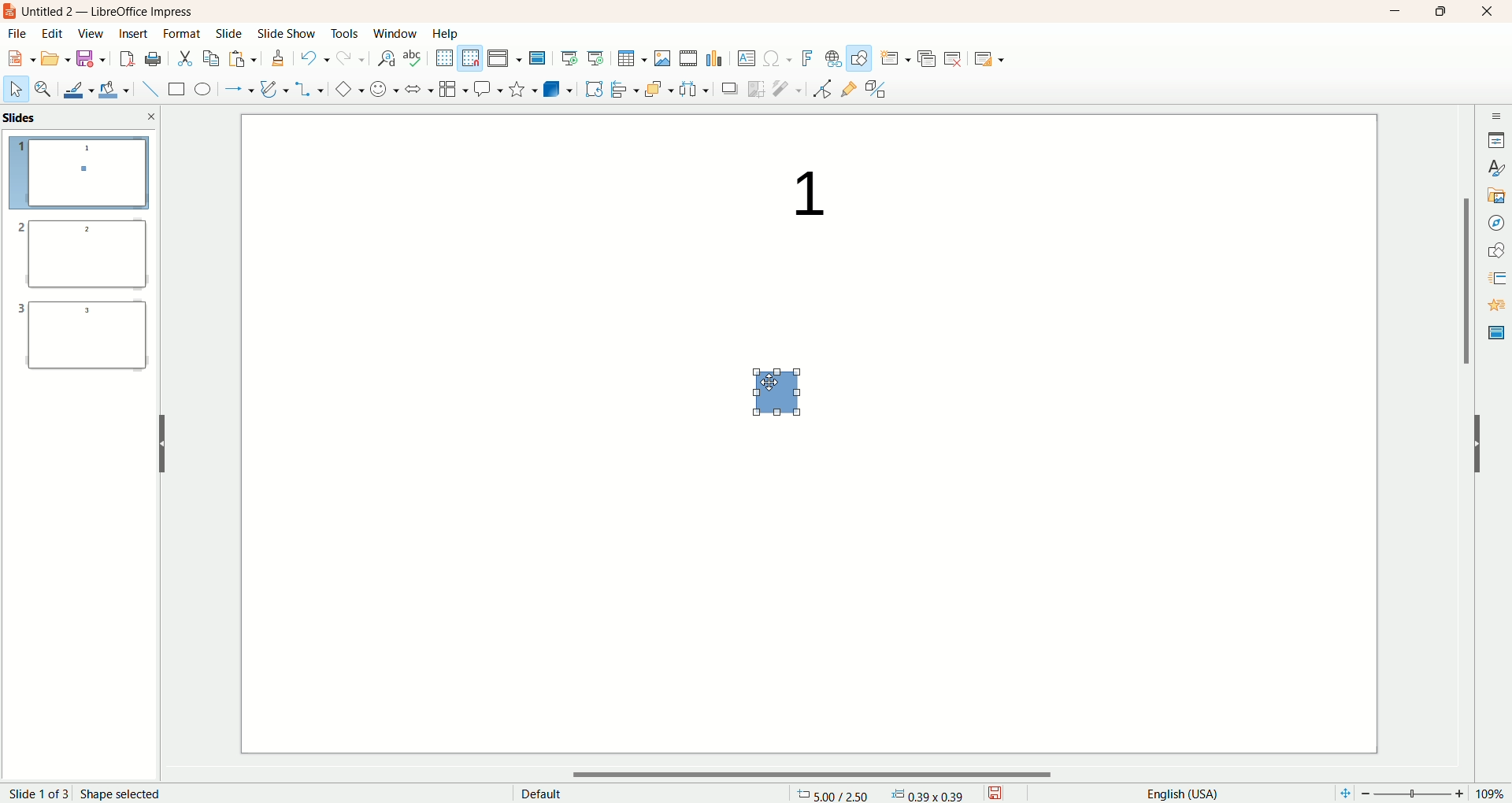  Describe the element at coordinates (848, 90) in the screenshot. I see `gluepoint function` at that location.